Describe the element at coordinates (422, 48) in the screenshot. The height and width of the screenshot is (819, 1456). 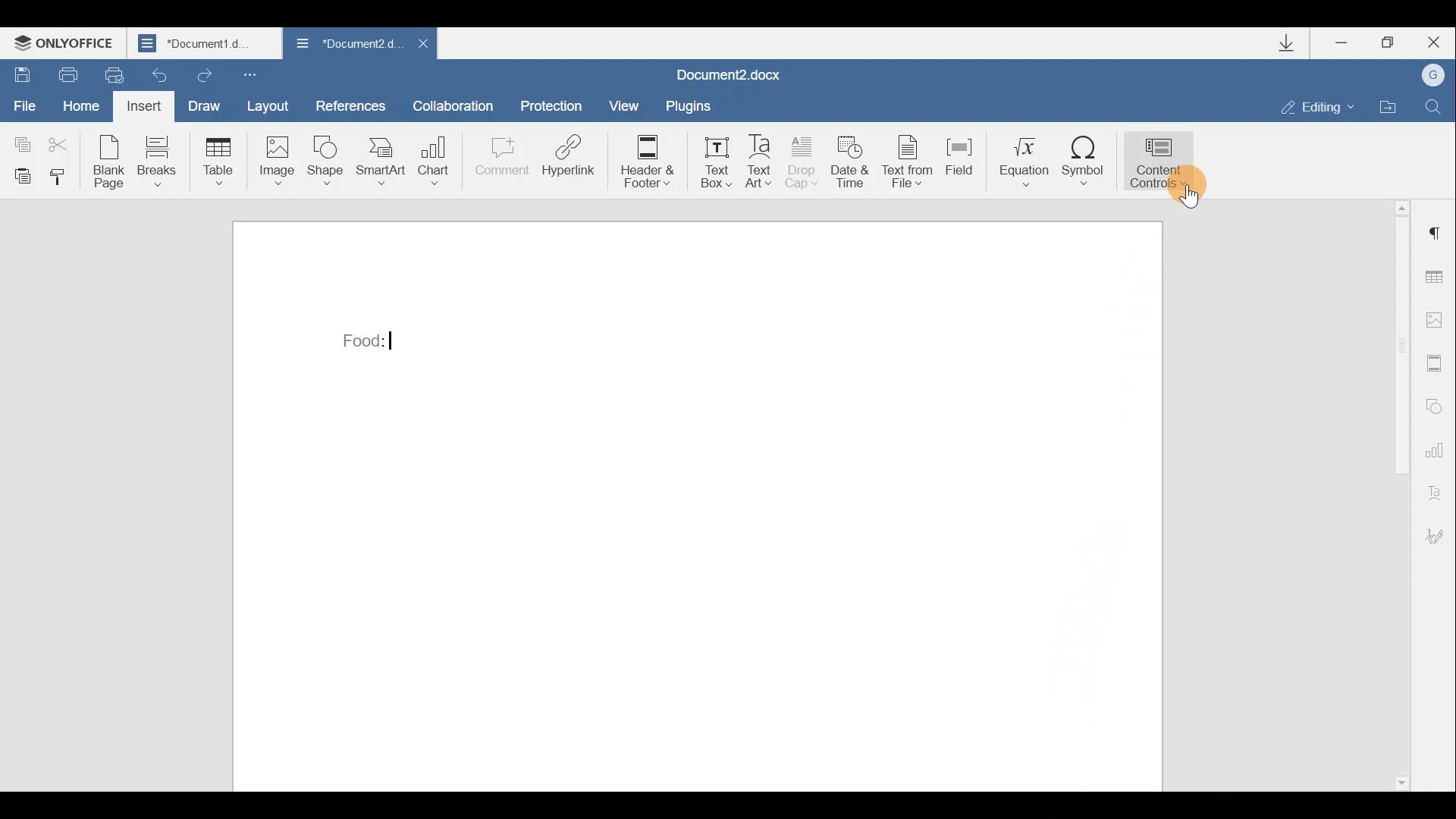
I see `Close` at that location.